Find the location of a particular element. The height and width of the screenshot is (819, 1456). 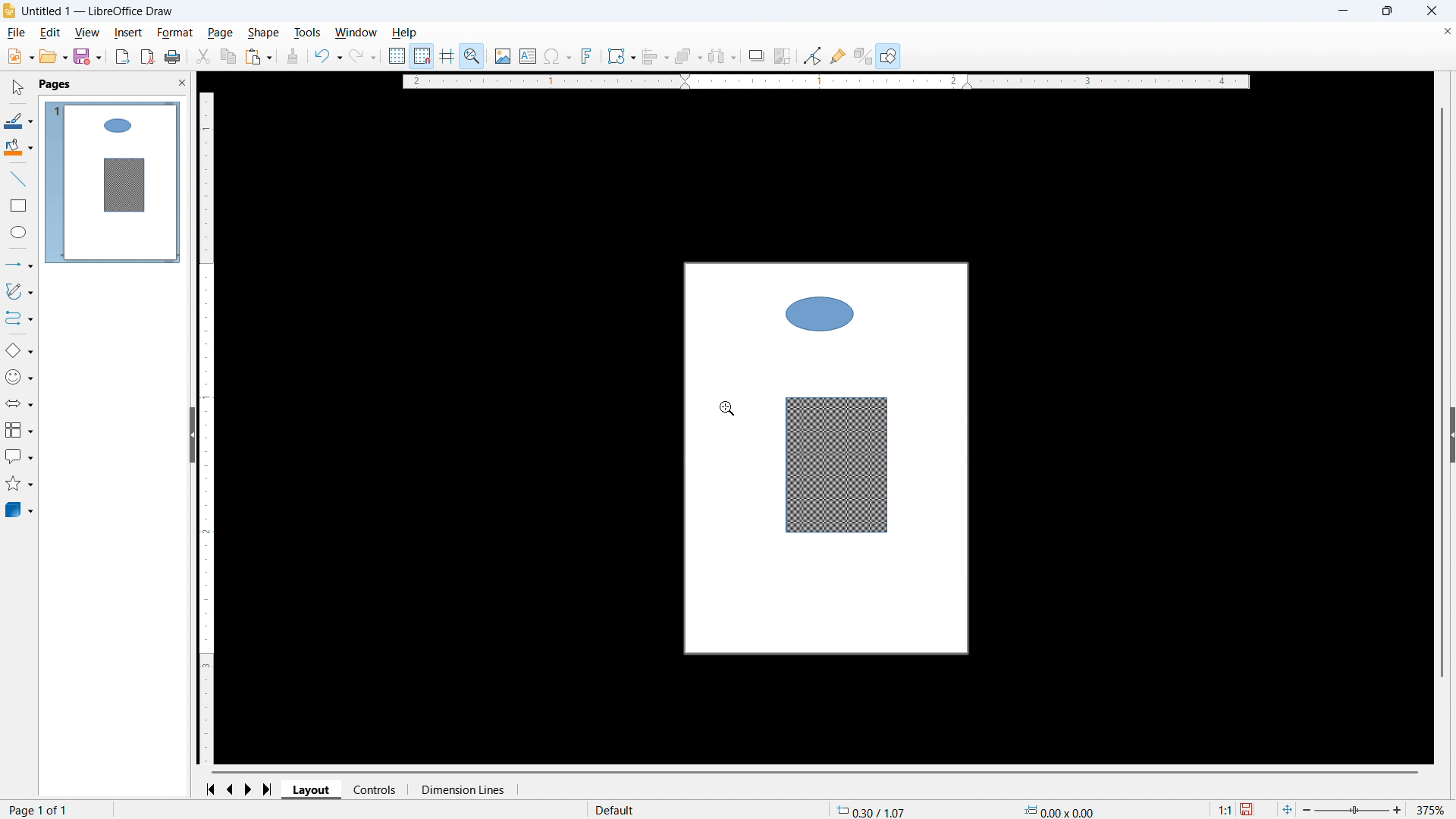

select  is located at coordinates (19, 88).